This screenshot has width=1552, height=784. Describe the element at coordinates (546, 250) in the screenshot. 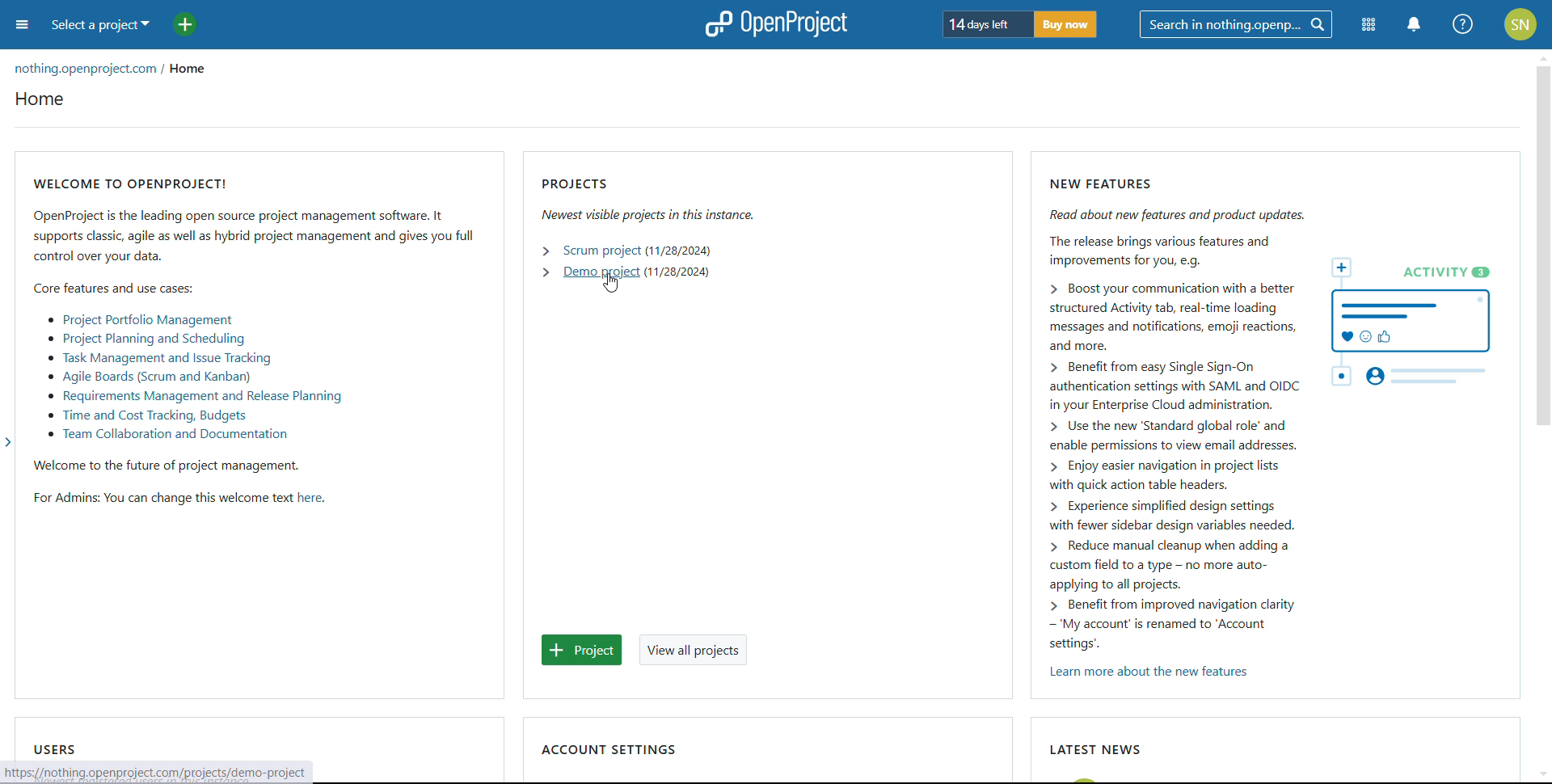

I see `expand scrum project` at that location.